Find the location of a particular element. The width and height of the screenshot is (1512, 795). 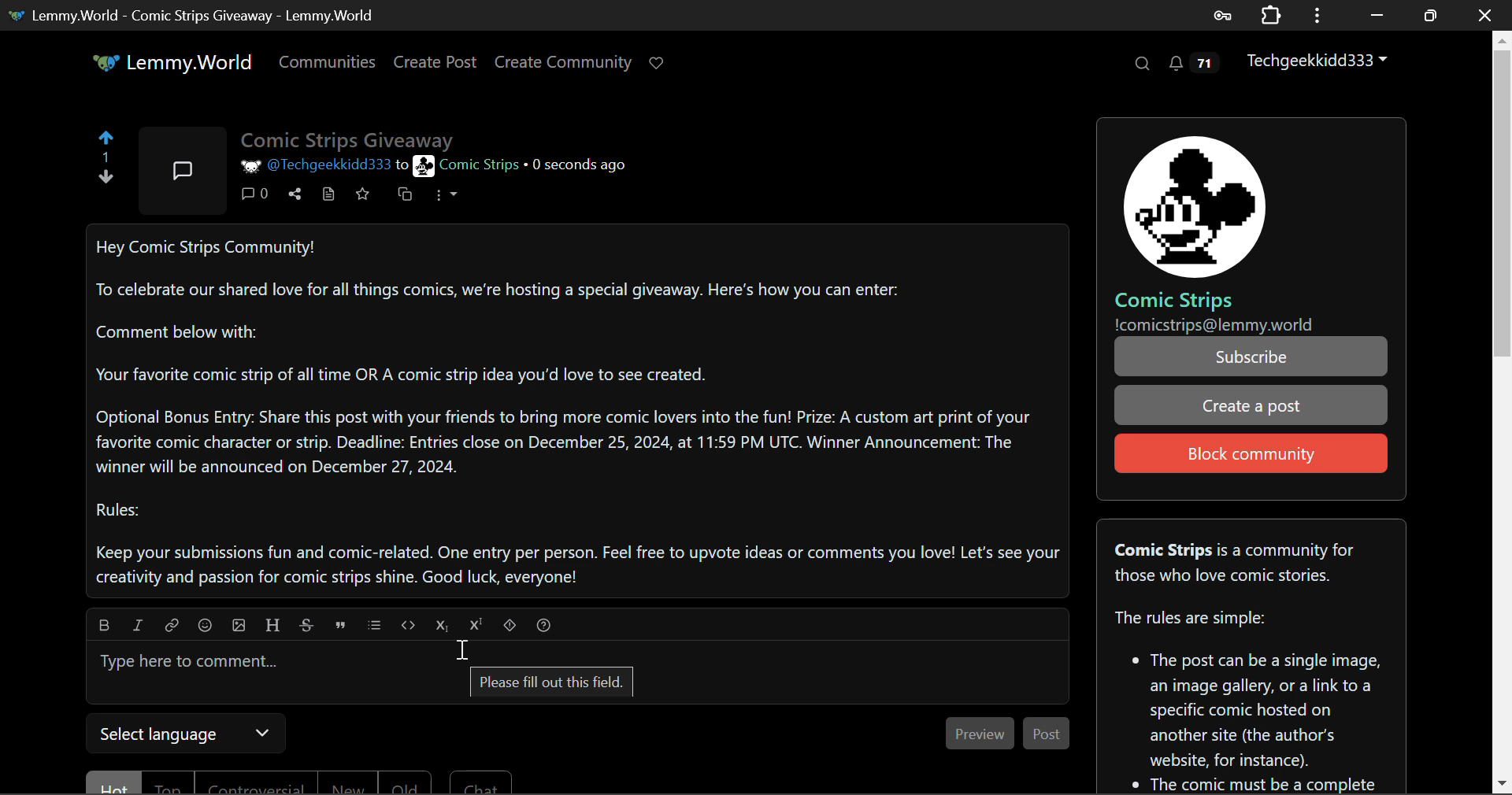

Create a post is located at coordinates (1251, 405).